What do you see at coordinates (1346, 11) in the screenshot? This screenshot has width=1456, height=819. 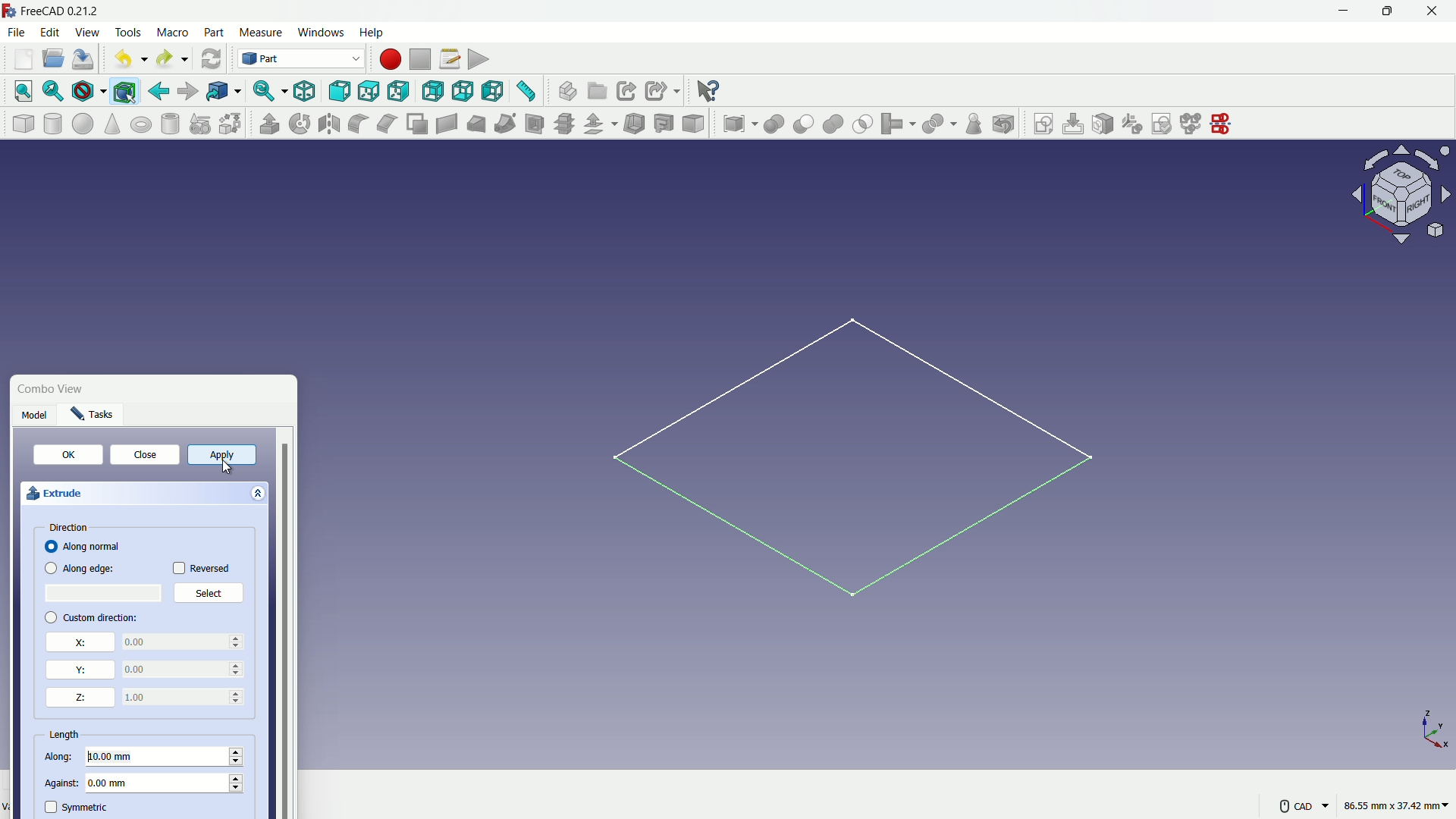 I see `minimize` at bounding box center [1346, 11].